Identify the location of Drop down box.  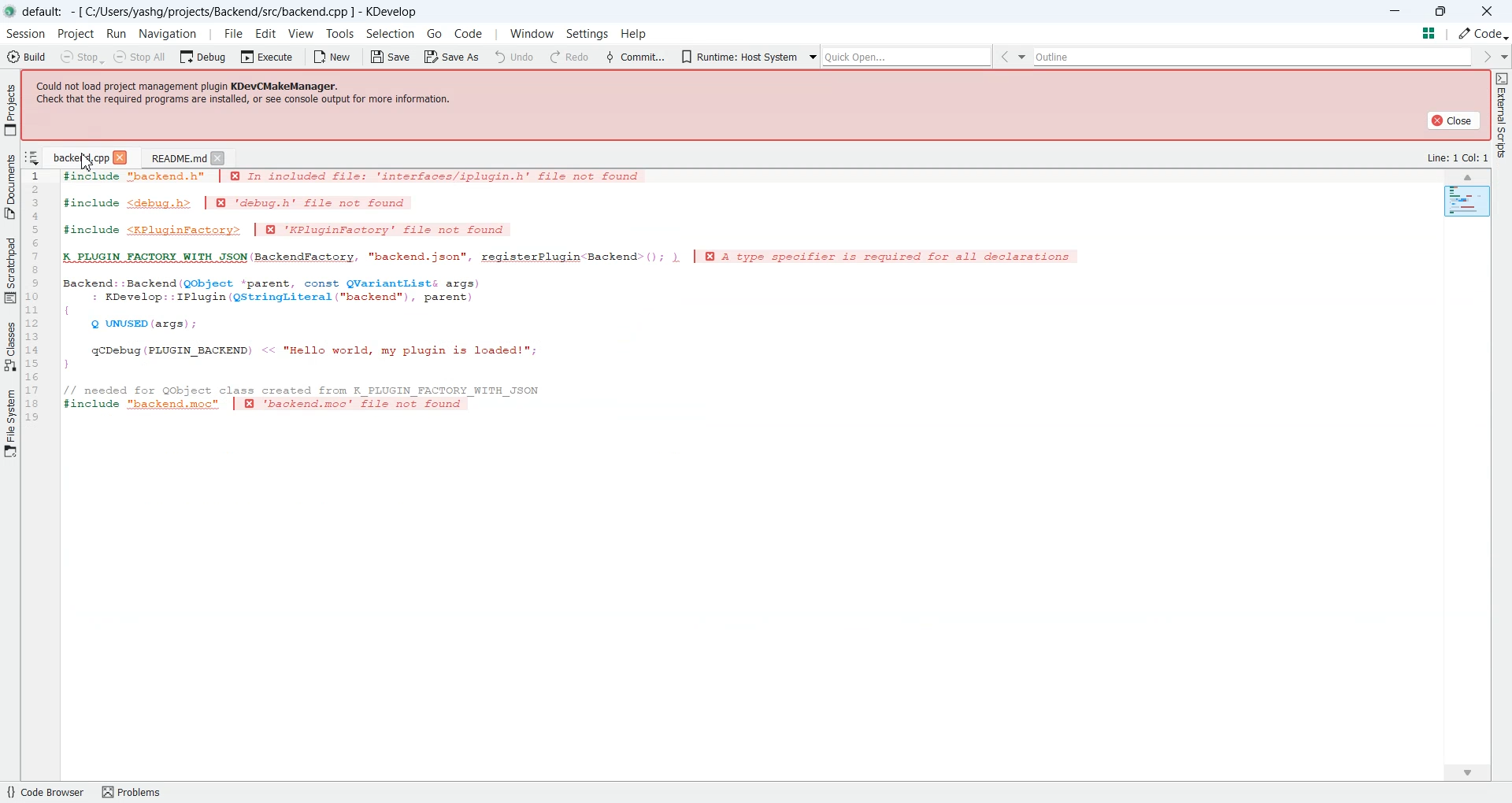
(1306, 56).